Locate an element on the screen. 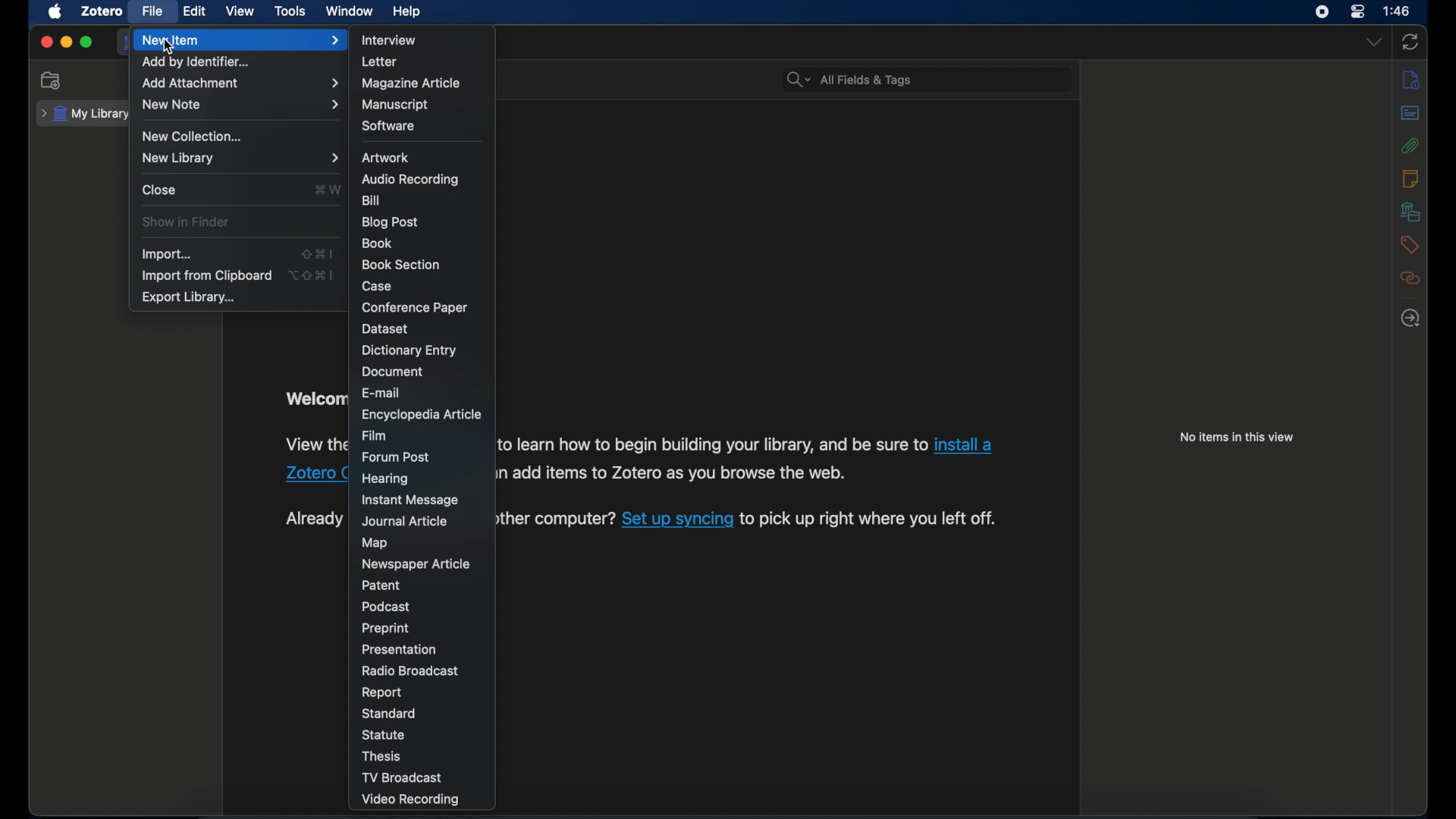  zotero is located at coordinates (102, 11).